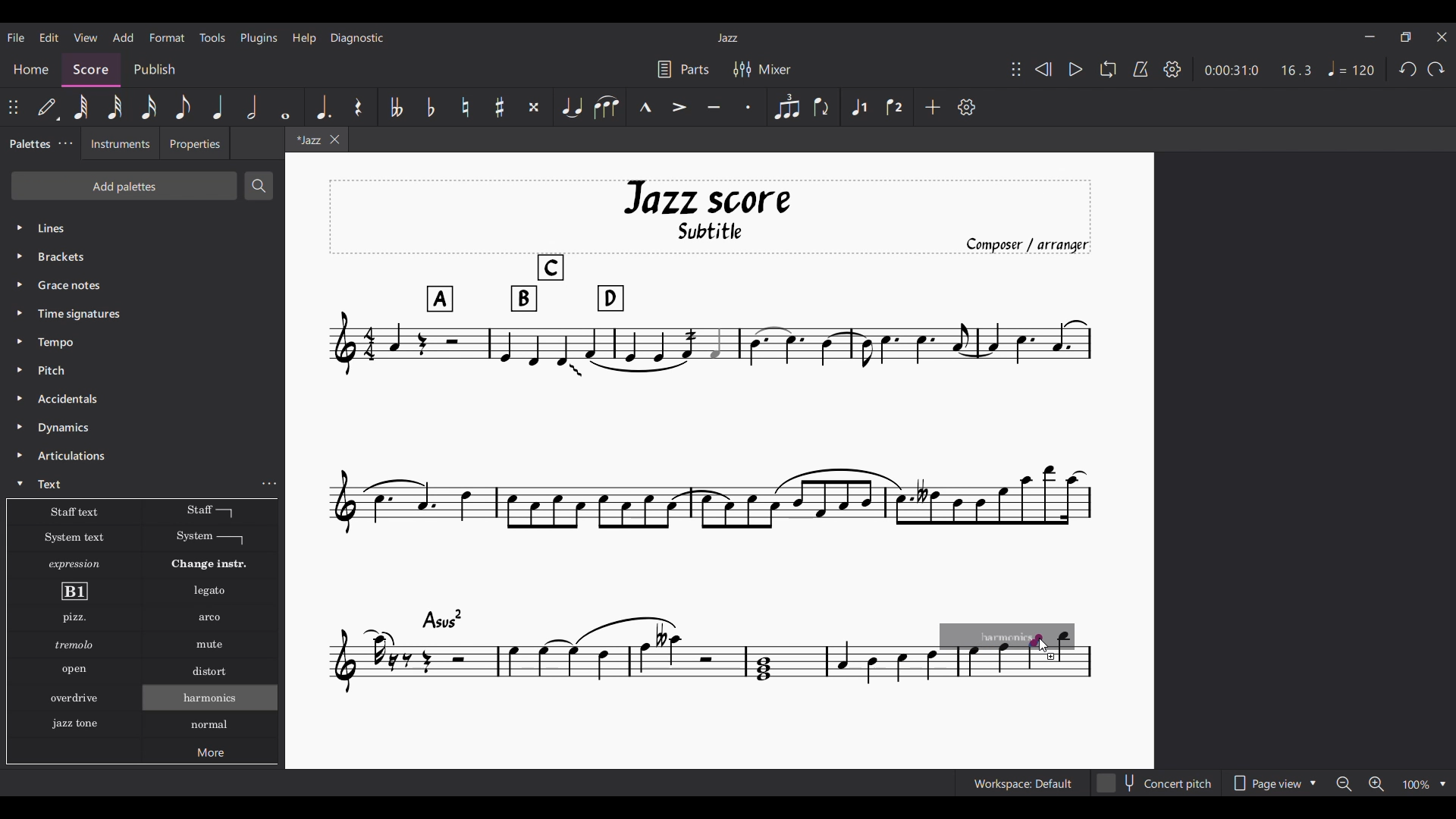  What do you see at coordinates (209, 511) in the screenshot?
I see `Staff` at bounding box center [209, 511].